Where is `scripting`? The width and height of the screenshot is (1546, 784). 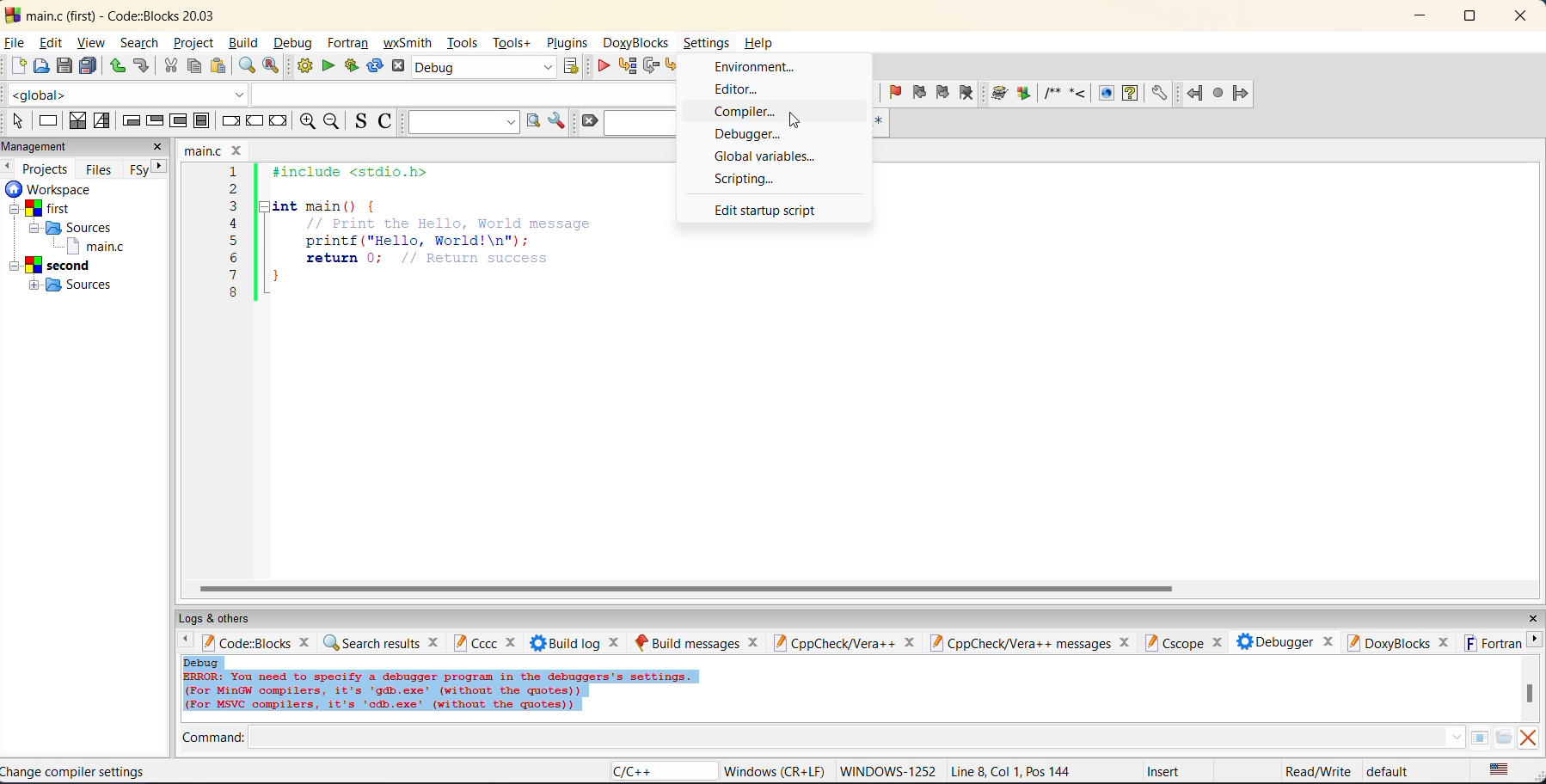 scripting is located at coordinates (752, 180).